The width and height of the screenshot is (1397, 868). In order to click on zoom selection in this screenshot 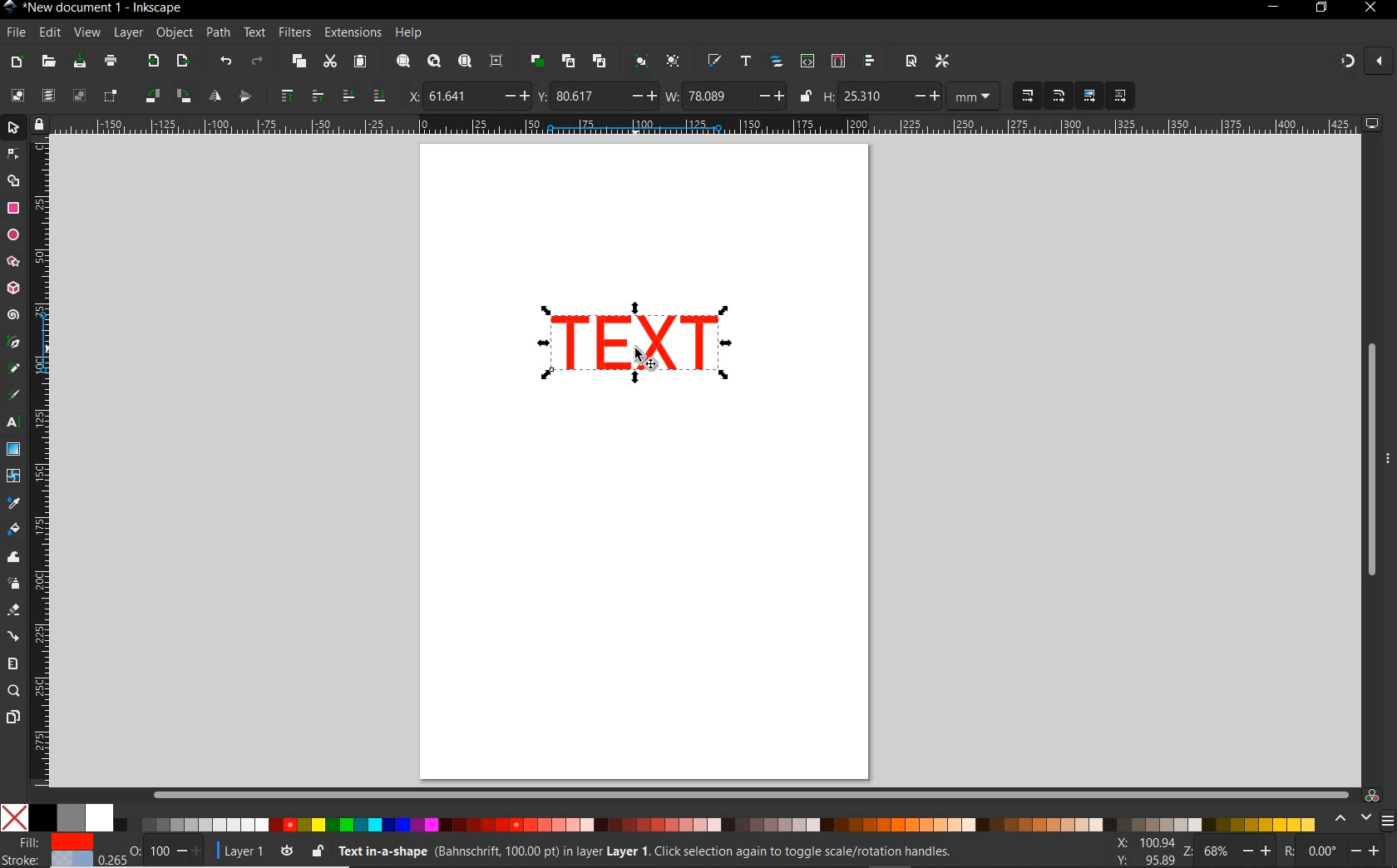, I will do `click(402, 62)`.